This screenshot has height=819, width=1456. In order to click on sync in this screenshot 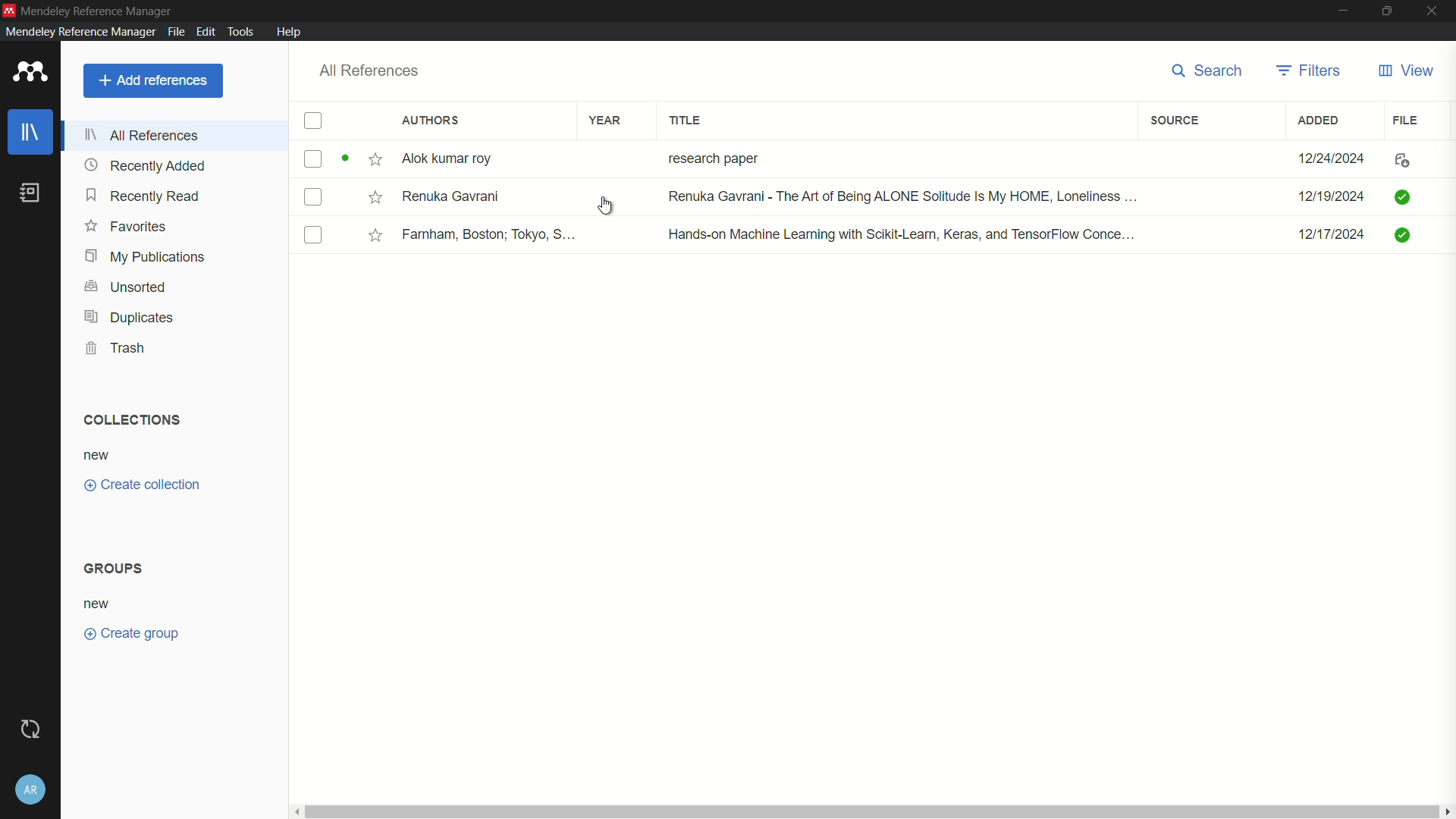, I will do `click(31, 729)`.